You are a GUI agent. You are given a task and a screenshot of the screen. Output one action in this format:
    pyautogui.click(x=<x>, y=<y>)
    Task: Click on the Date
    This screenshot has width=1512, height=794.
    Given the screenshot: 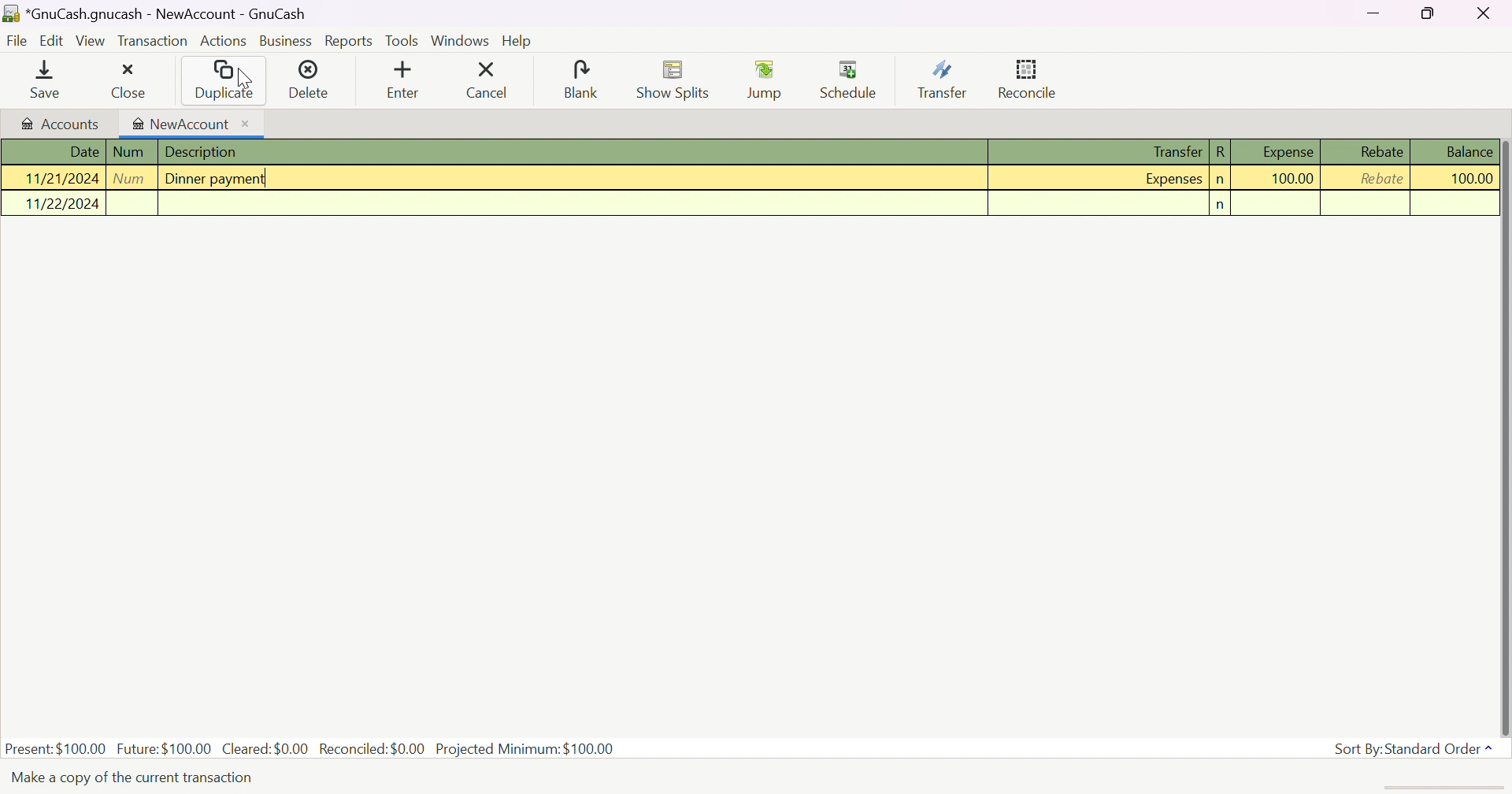 What is the action you would take?
    pyautogui.click(x=83, y=152)
    